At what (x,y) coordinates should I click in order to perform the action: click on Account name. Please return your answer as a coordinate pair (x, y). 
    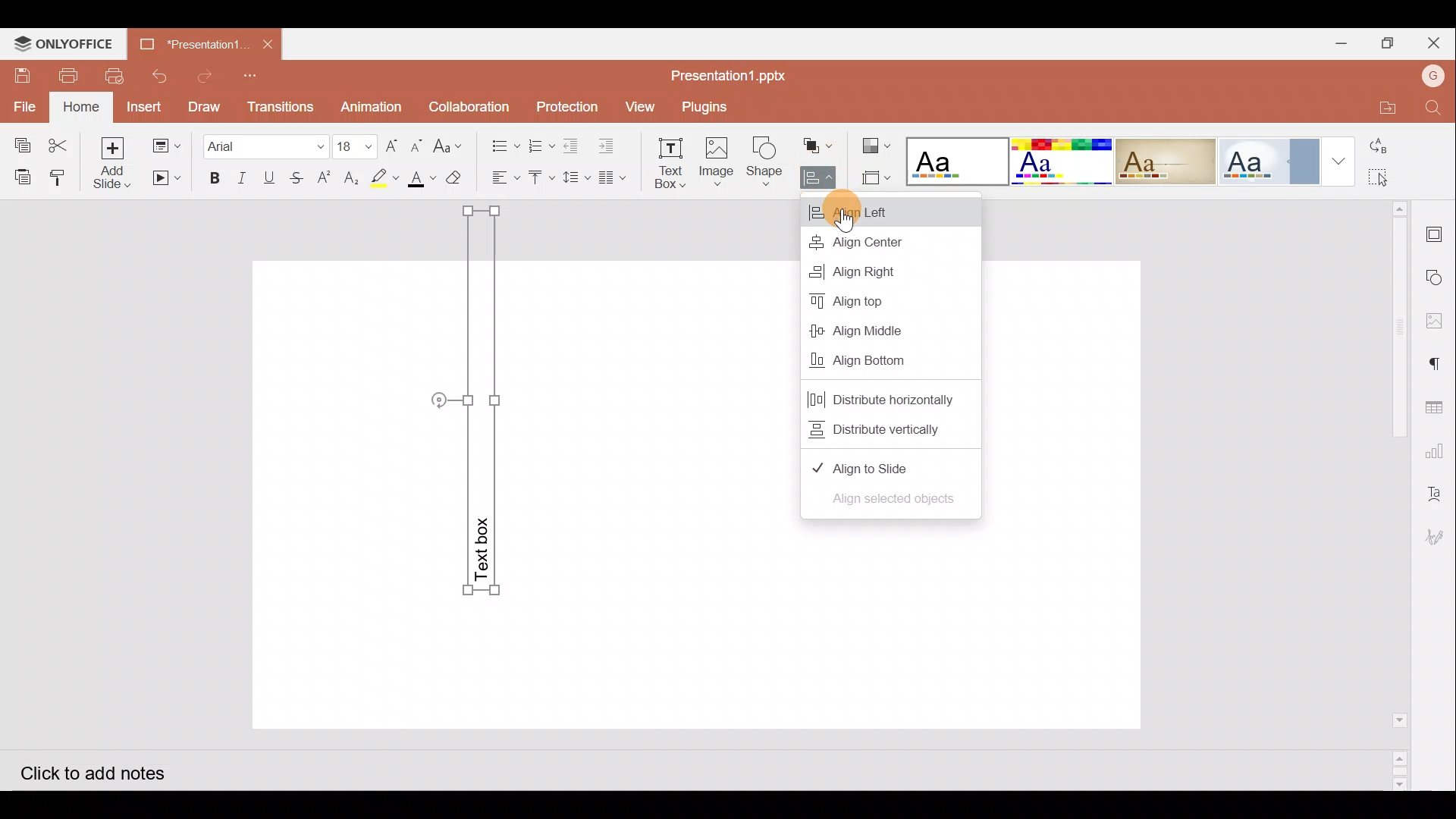
    Looking at the image, I should click on (1432, 74).